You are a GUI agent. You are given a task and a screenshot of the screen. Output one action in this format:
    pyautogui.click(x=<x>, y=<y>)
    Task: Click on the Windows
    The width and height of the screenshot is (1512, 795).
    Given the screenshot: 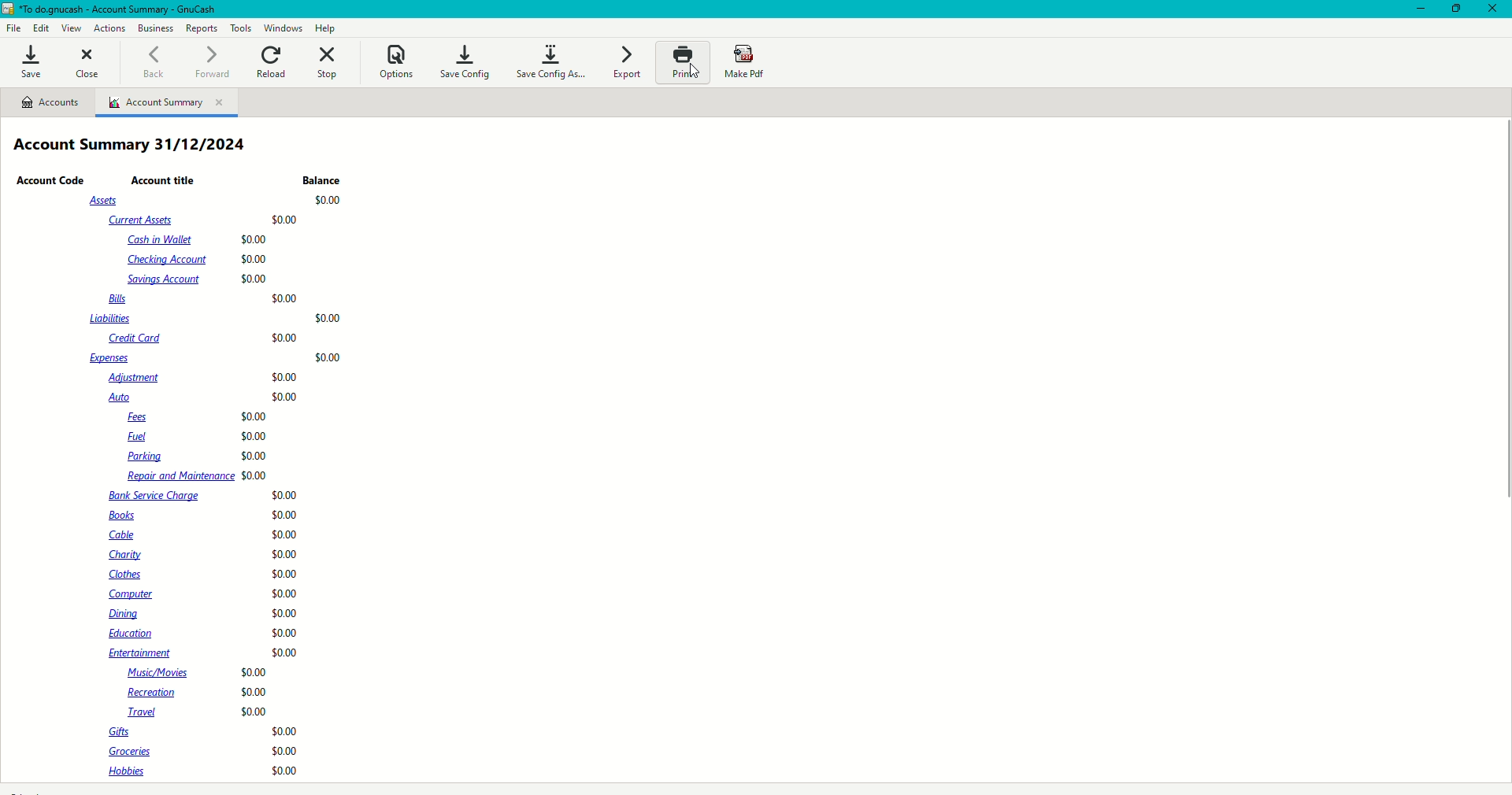 What is the action you would take?
    pyautogui.click(x=284, y=28)
    